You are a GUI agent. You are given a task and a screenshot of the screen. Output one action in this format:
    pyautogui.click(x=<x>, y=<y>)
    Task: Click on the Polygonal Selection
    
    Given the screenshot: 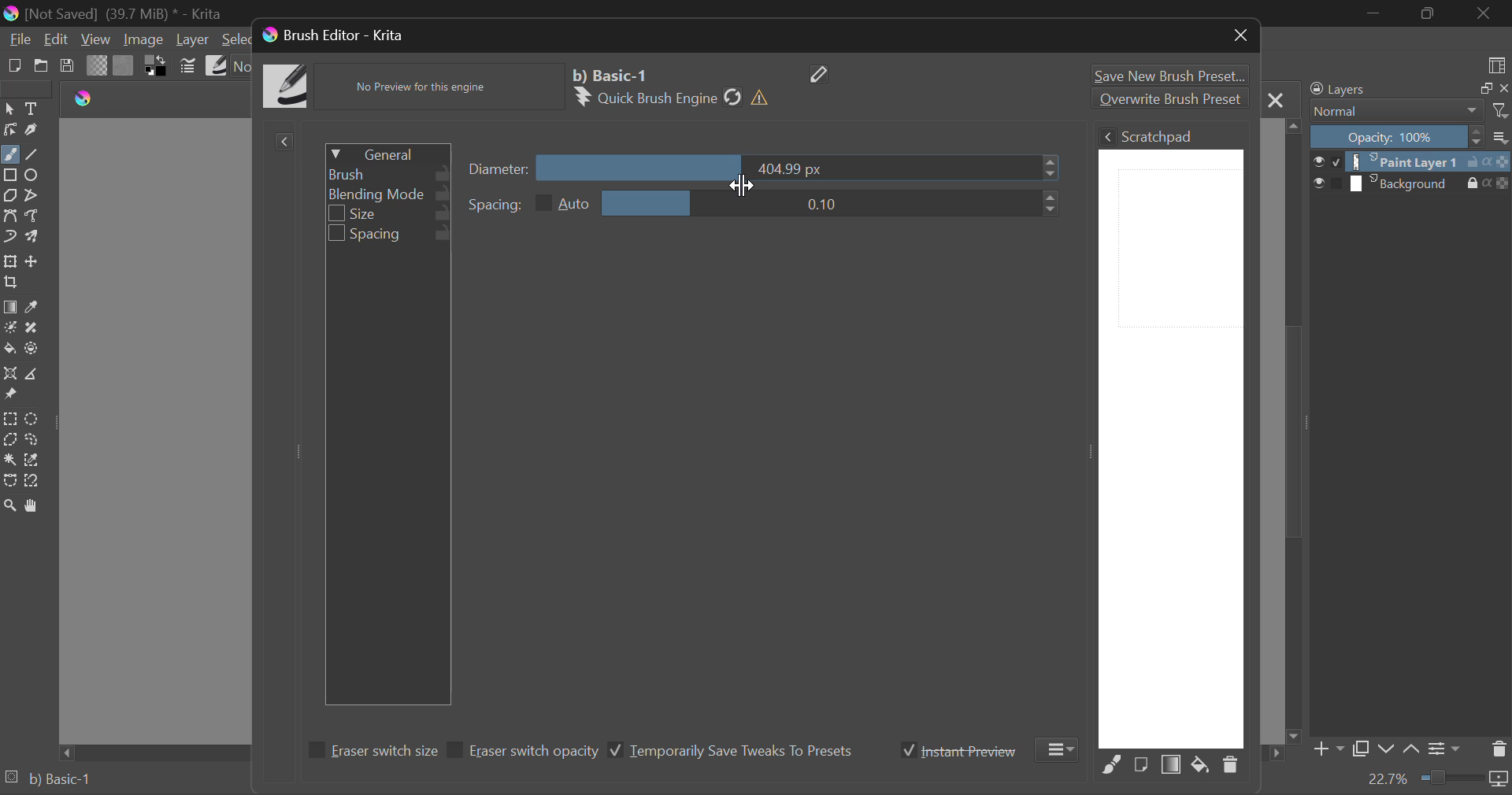 What is the action you would take?
    pyautogui.click(x=9, y=439)
    